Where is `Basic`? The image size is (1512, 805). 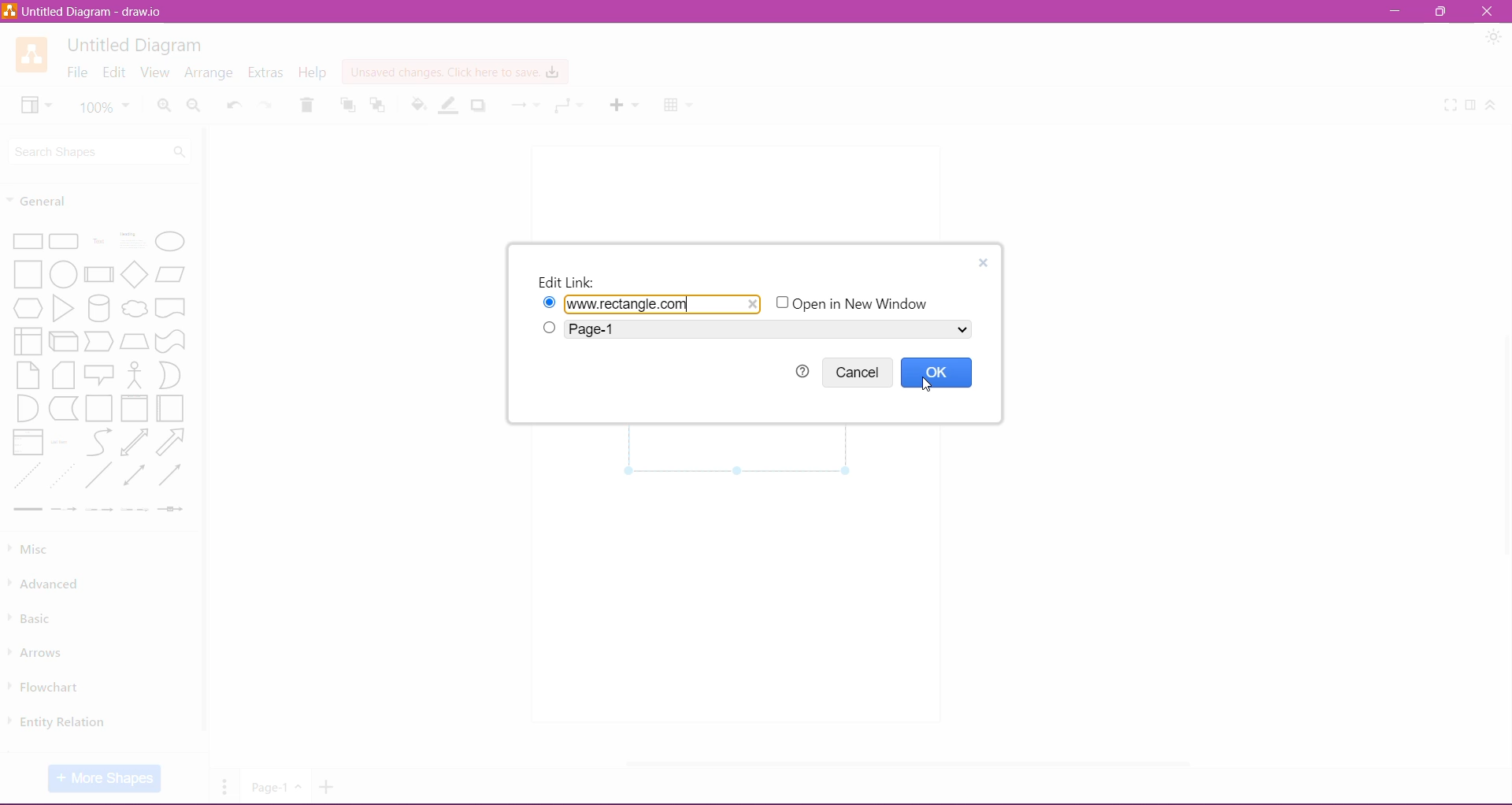
Basic is located at coordinates (34, 617).